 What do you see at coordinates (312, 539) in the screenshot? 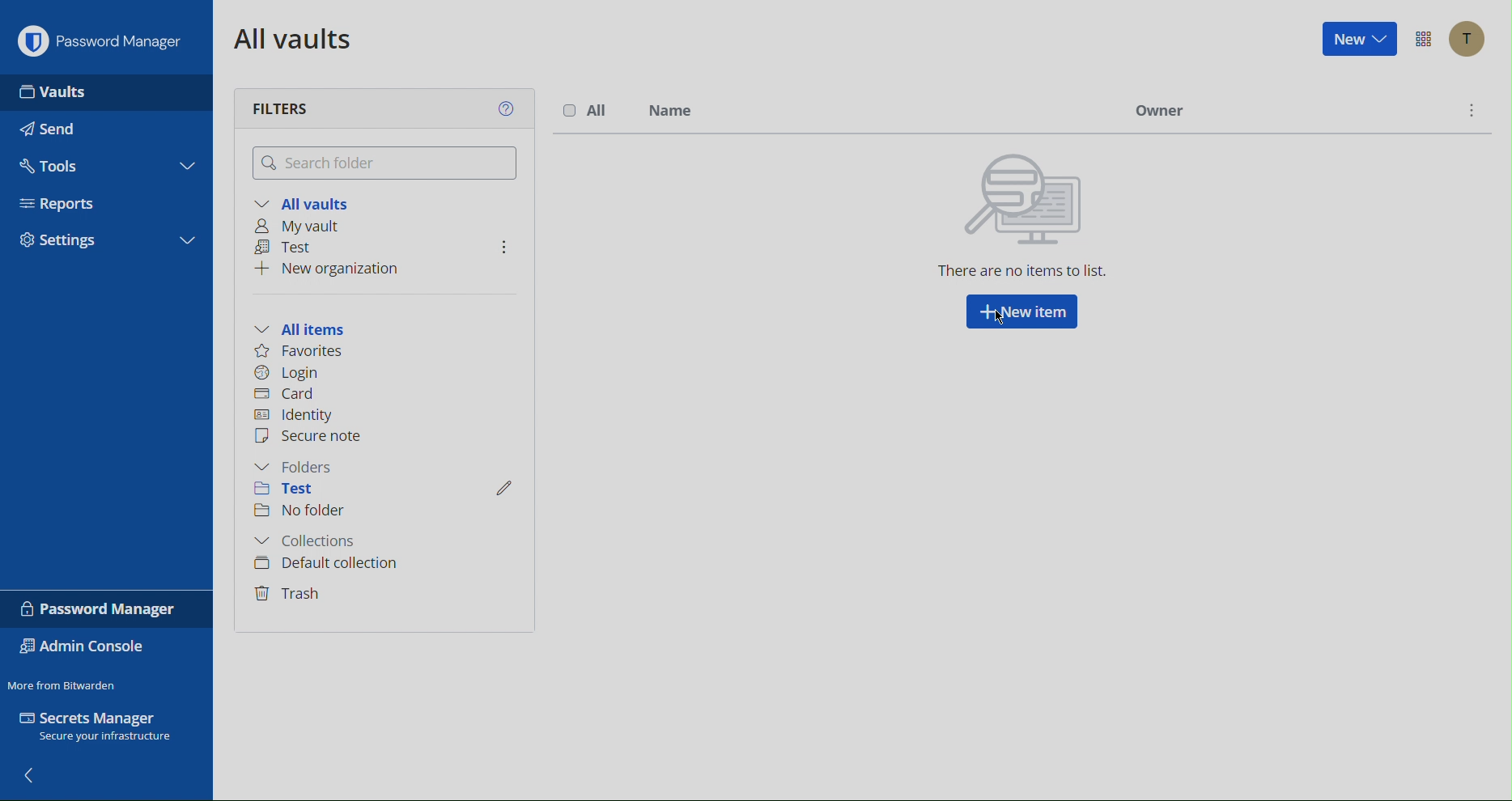
I see `Collections` at bounding box center [312, 539].